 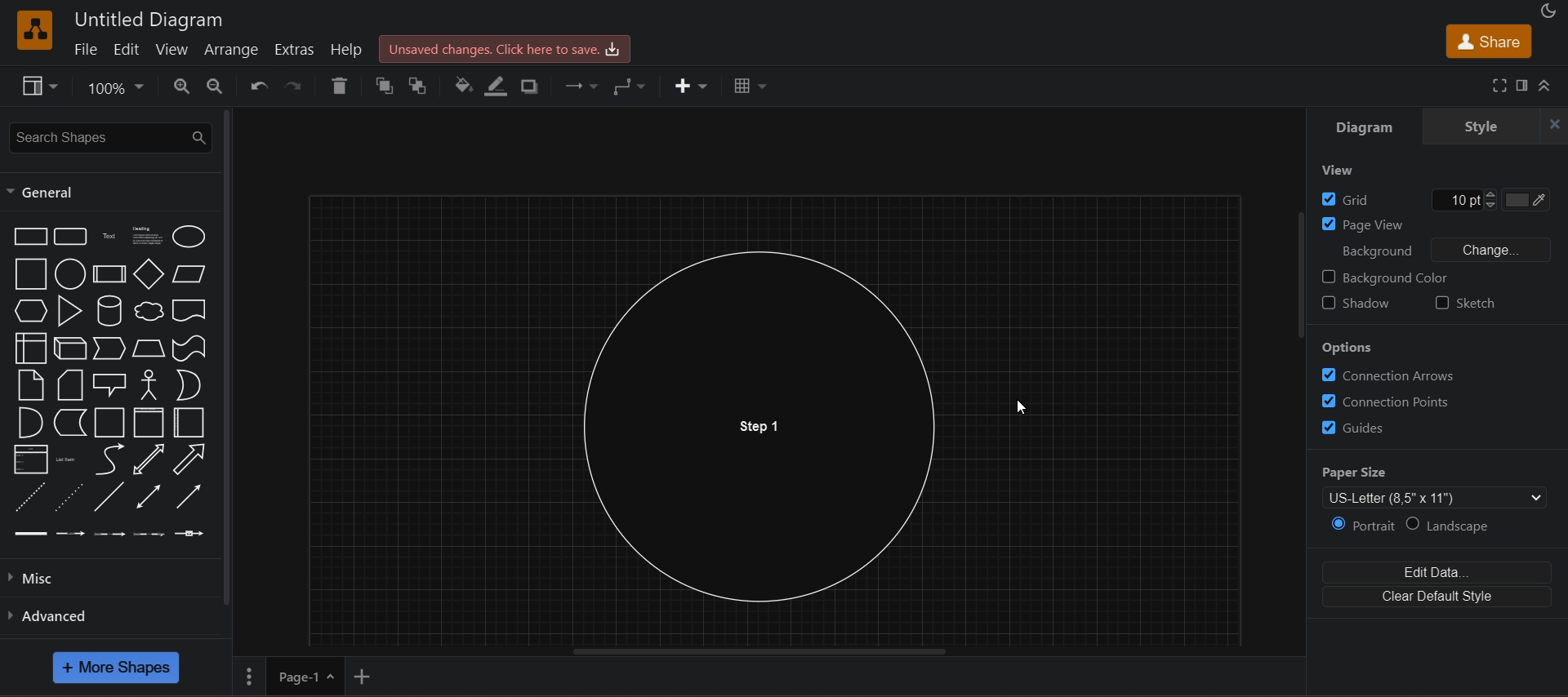 I want to click on bold, so click(x=384, y=86).